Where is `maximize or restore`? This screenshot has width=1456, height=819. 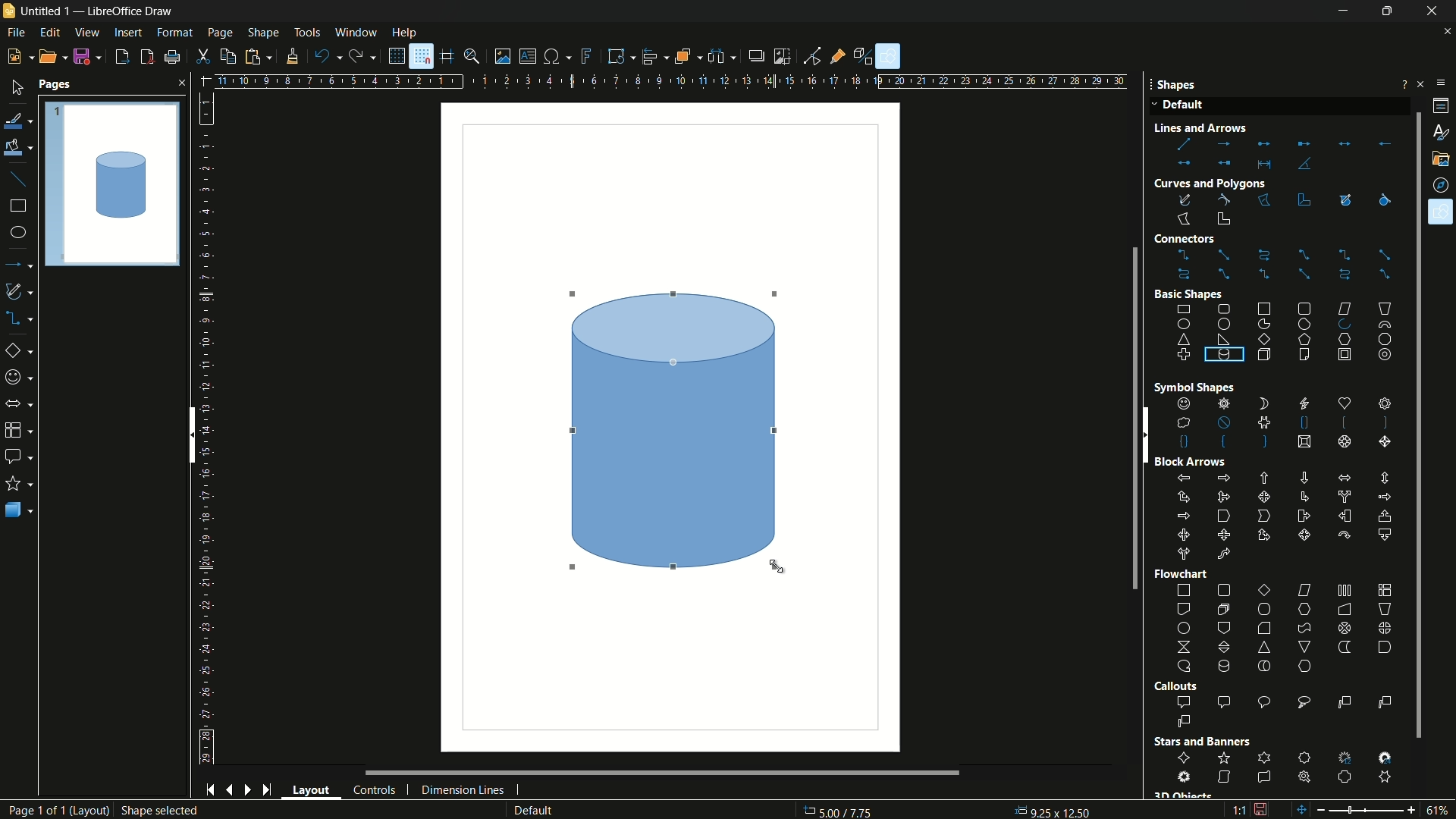
maximize or restore is located at coordinates (1391, 11).